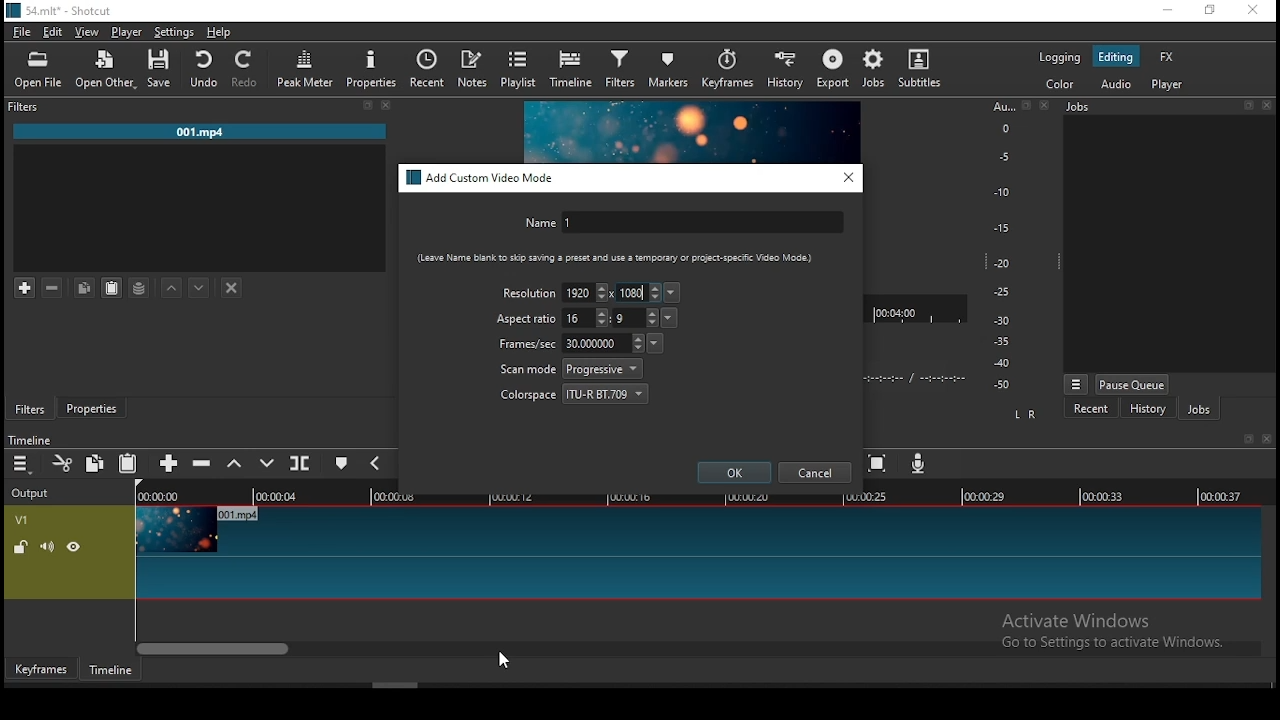  What do you see at coordinates (1084, 620) in the screenshot?
I see `Active Windows` at bounding box center [1084, 620].